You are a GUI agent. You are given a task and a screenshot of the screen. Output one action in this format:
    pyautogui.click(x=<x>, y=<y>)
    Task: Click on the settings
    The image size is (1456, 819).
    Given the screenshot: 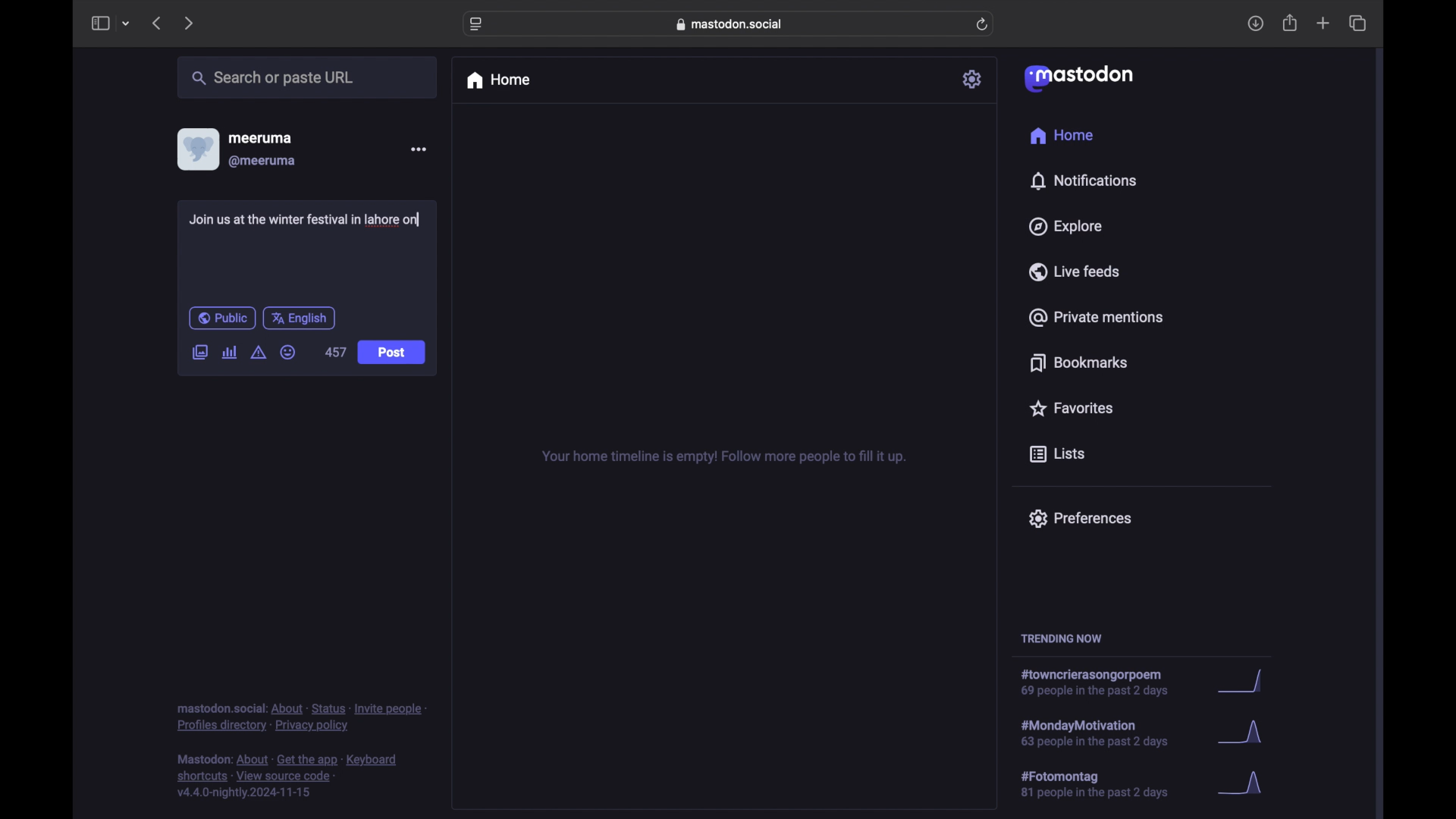 What is the action you would take?
    pyautogui.click(x=974, y=79)
    